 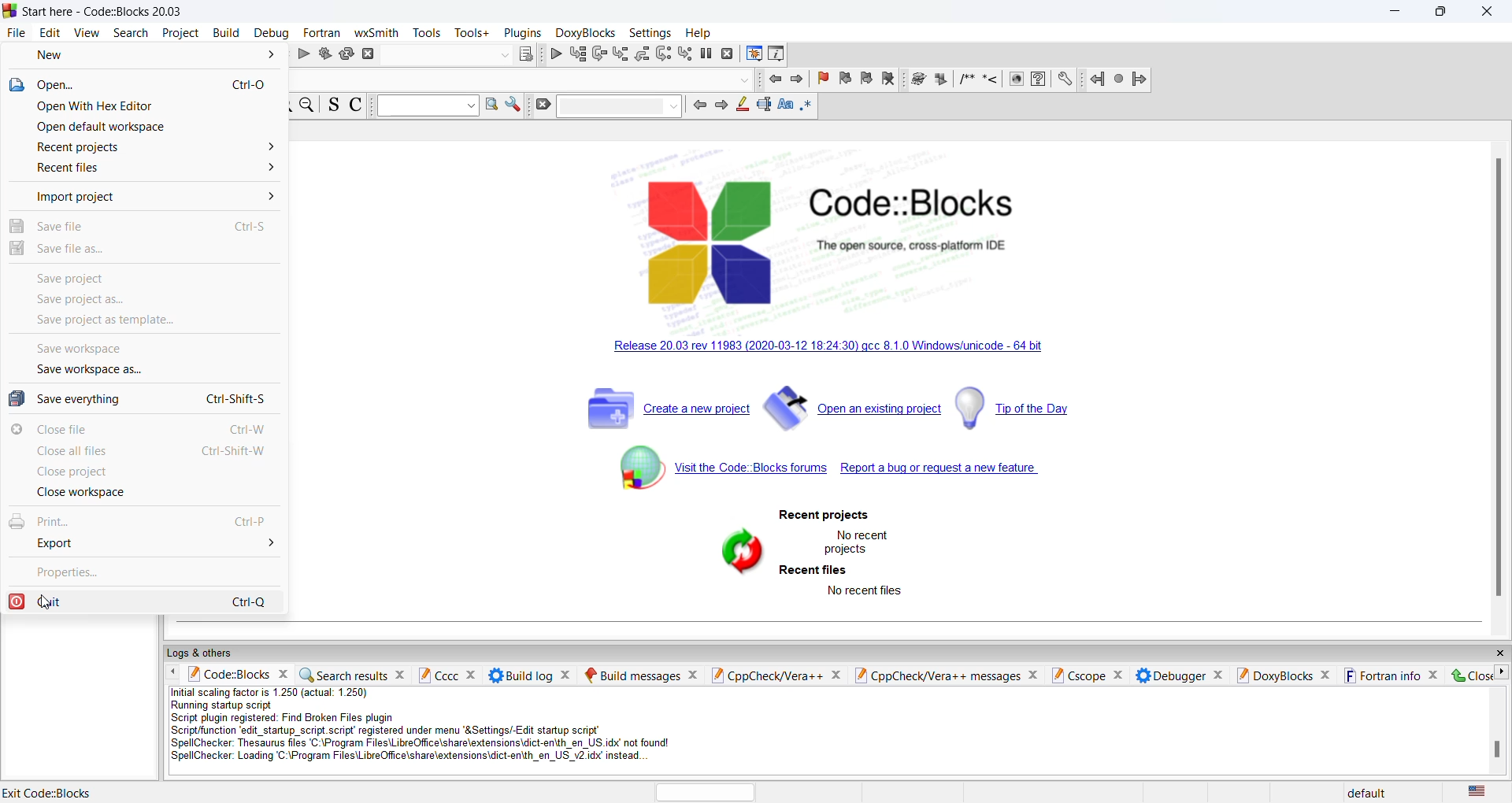 What do you see at coordinates (857, 233) in the screenshot?
I see `code block logo` at bounding box center [857, 233].